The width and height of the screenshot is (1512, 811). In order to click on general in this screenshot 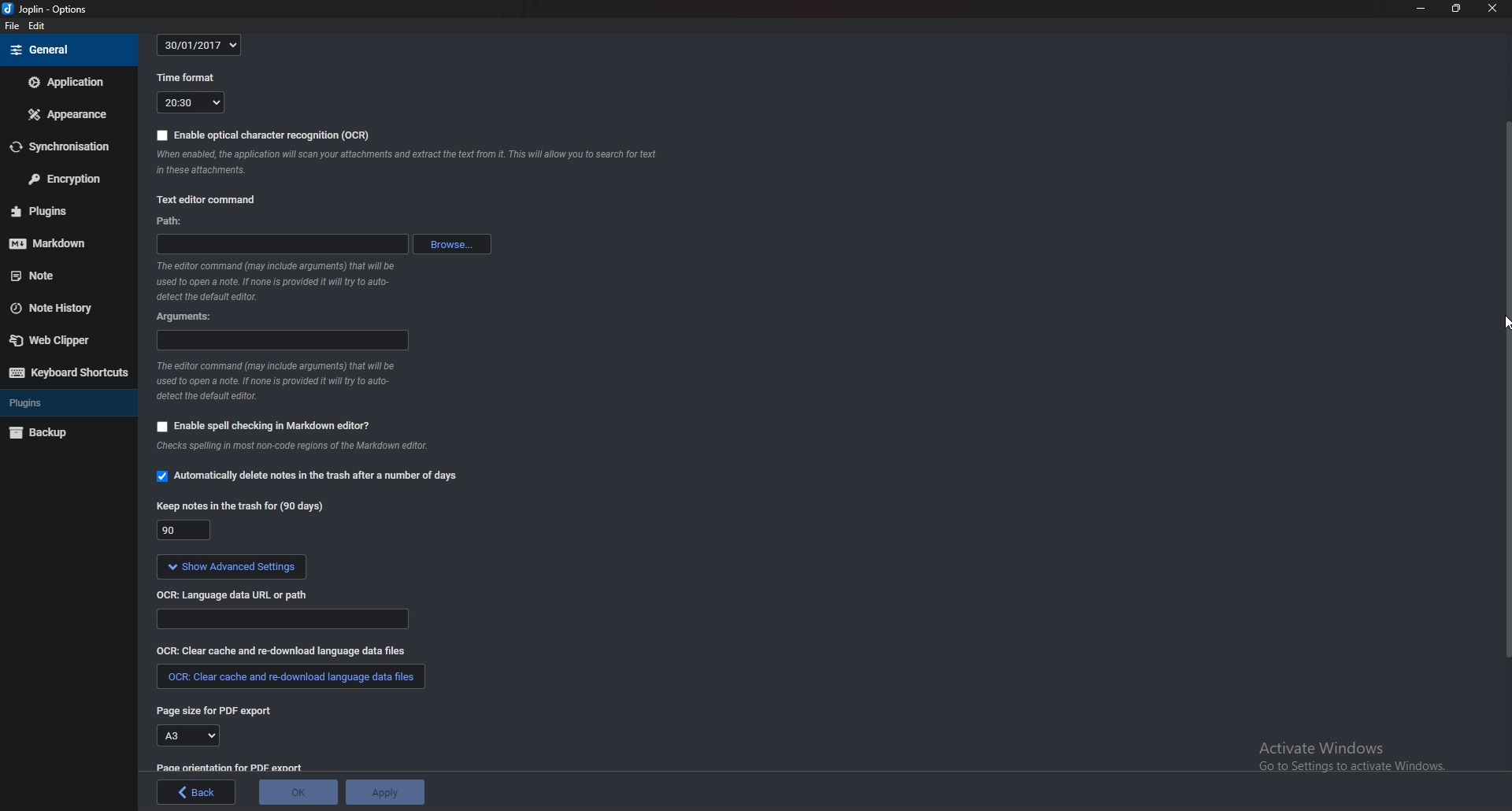, I will do `click(68, 49)`.